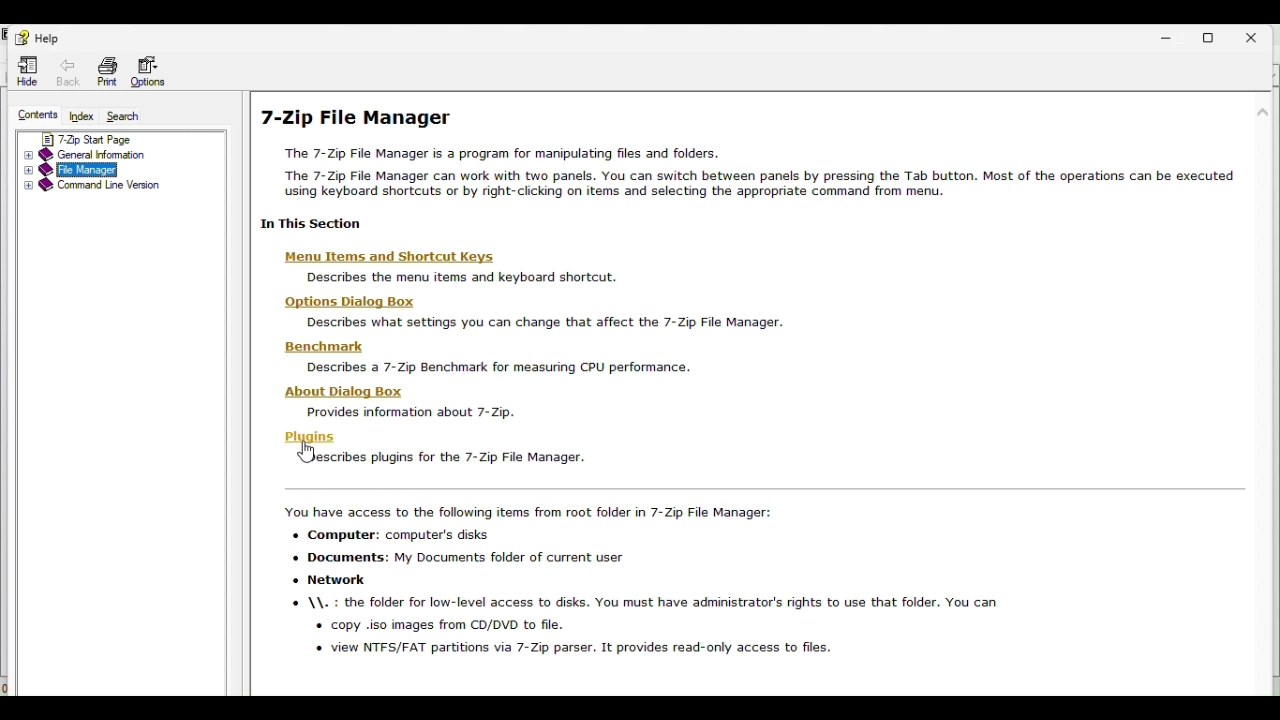  What do you see at coordinates (407, 412) in the screenshot?
I see `Provides information about 7-Zip.` at bounding box center [407, 412].